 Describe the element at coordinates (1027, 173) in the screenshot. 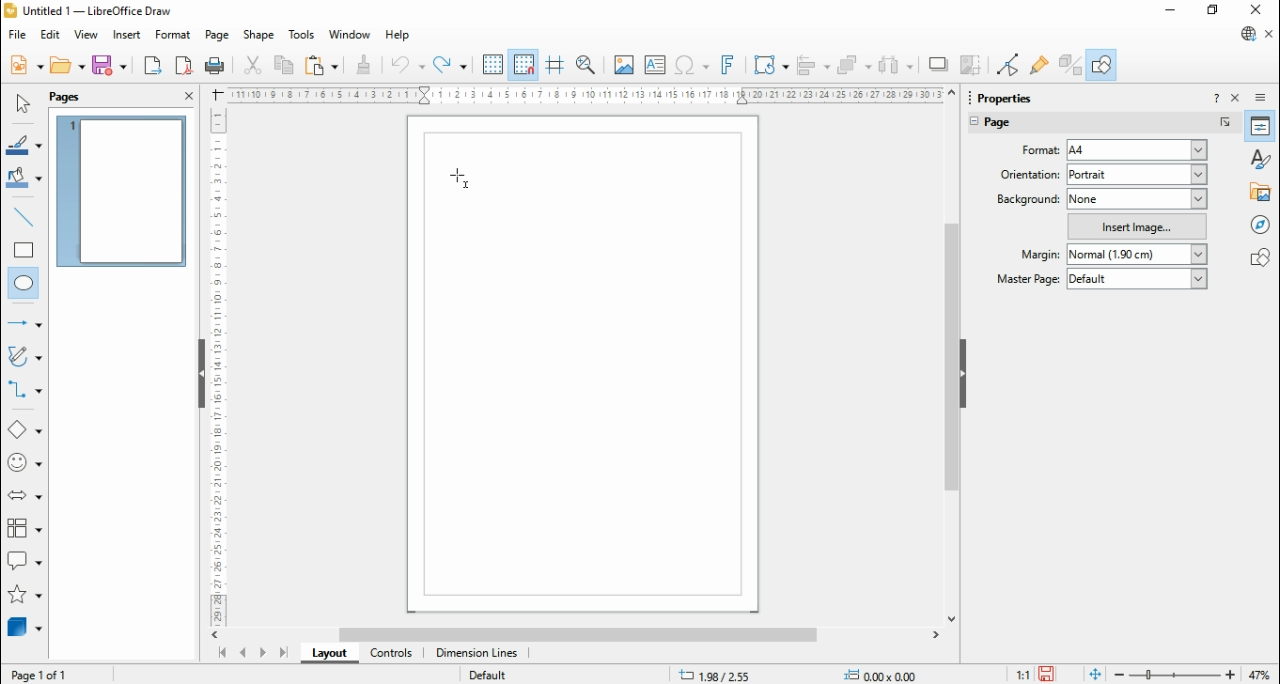

I see `page orientation` at that location.